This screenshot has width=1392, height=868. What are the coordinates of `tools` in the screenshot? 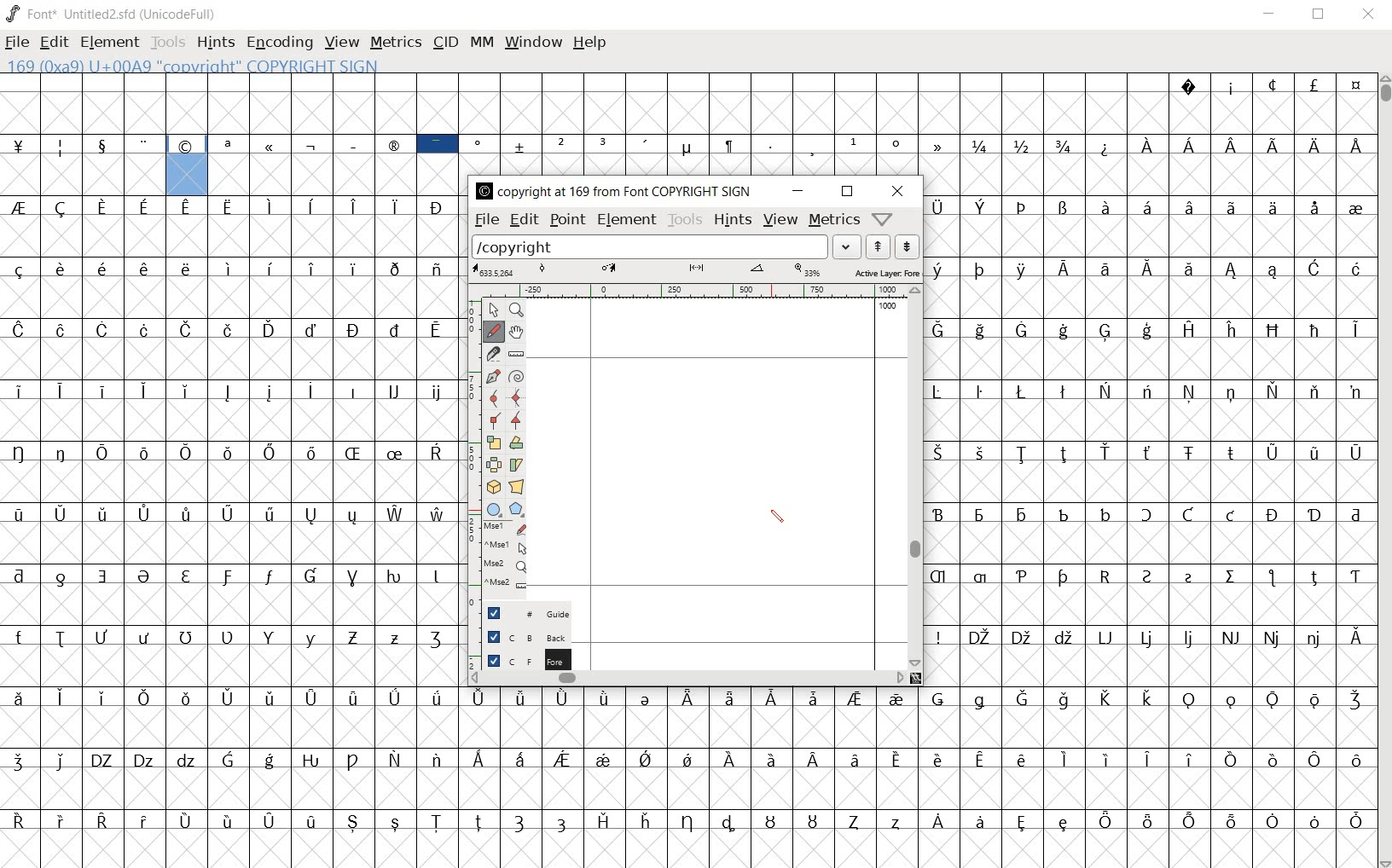 It's located at (684, 219).